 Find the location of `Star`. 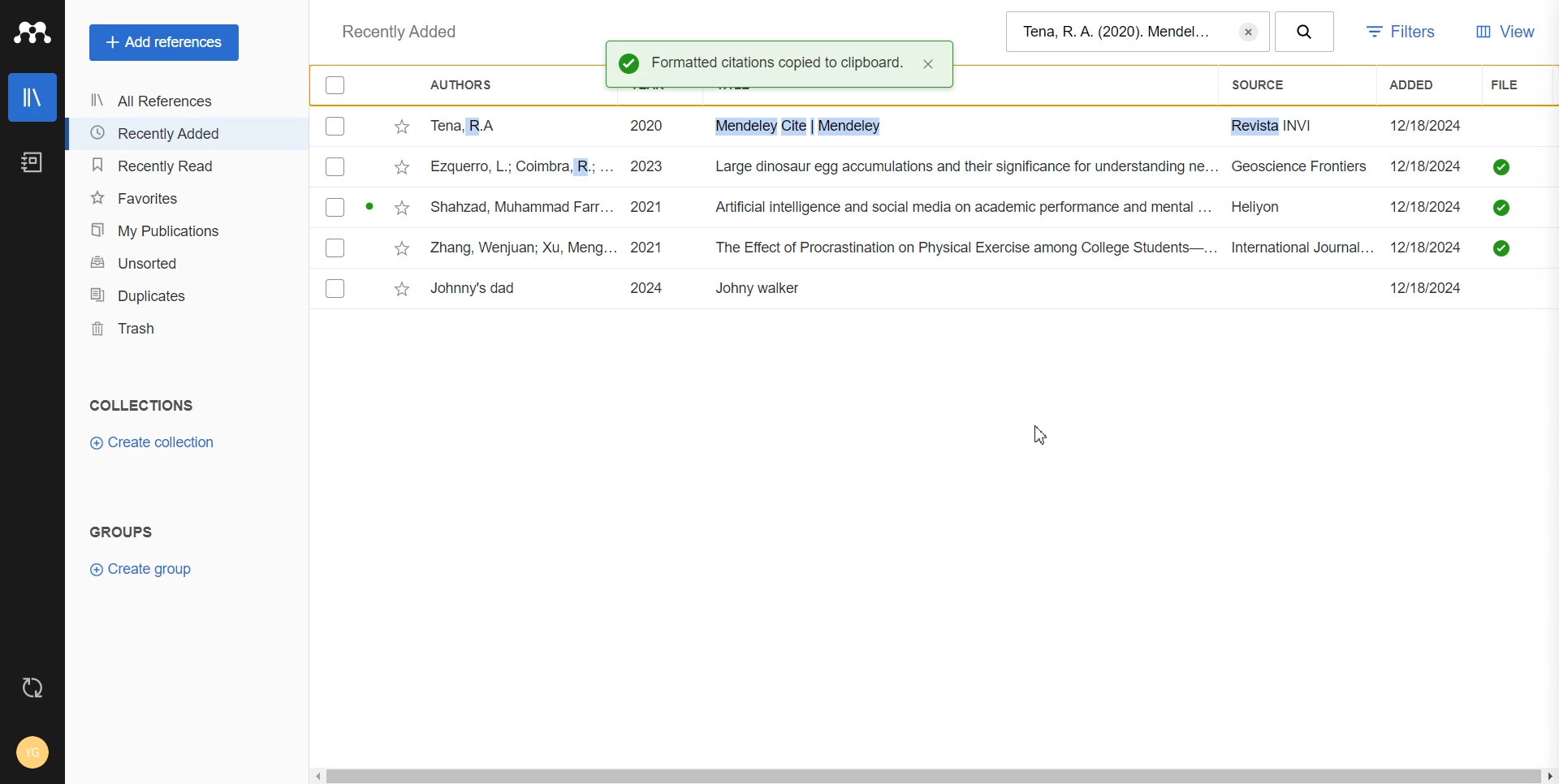

Star is located at coordinates (402, 207).